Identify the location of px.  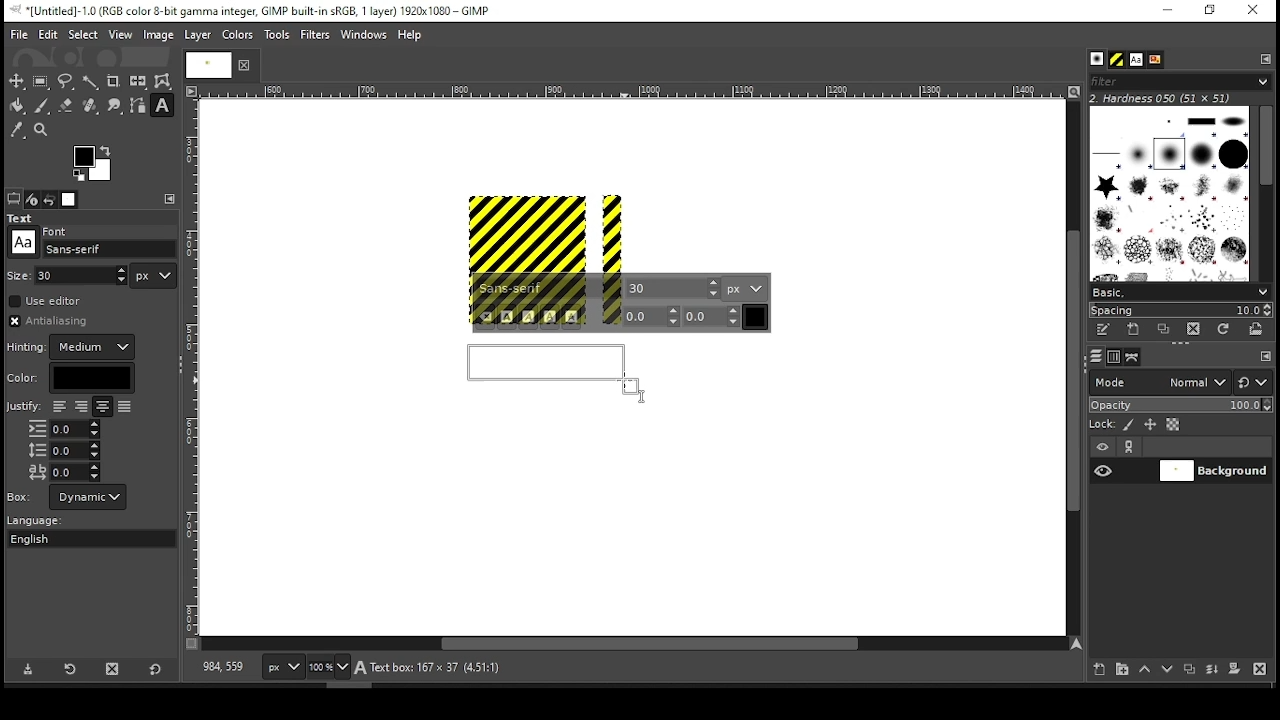
(282, 669).